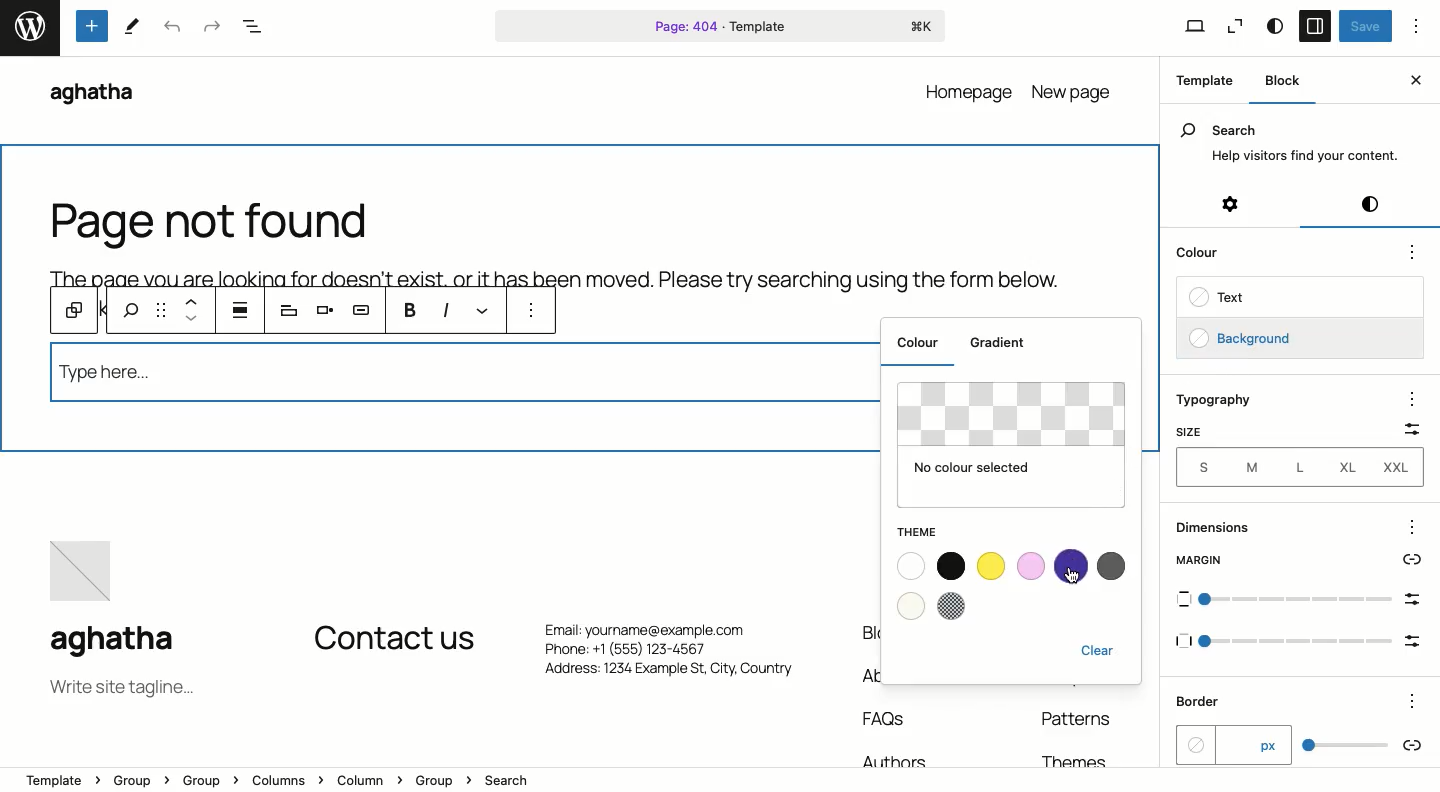 Image resolution: width=1440 pixels, height=792 pixels. Describe the element at coordinates (1248, 341) in the screenshot. I see `Background` at that location.